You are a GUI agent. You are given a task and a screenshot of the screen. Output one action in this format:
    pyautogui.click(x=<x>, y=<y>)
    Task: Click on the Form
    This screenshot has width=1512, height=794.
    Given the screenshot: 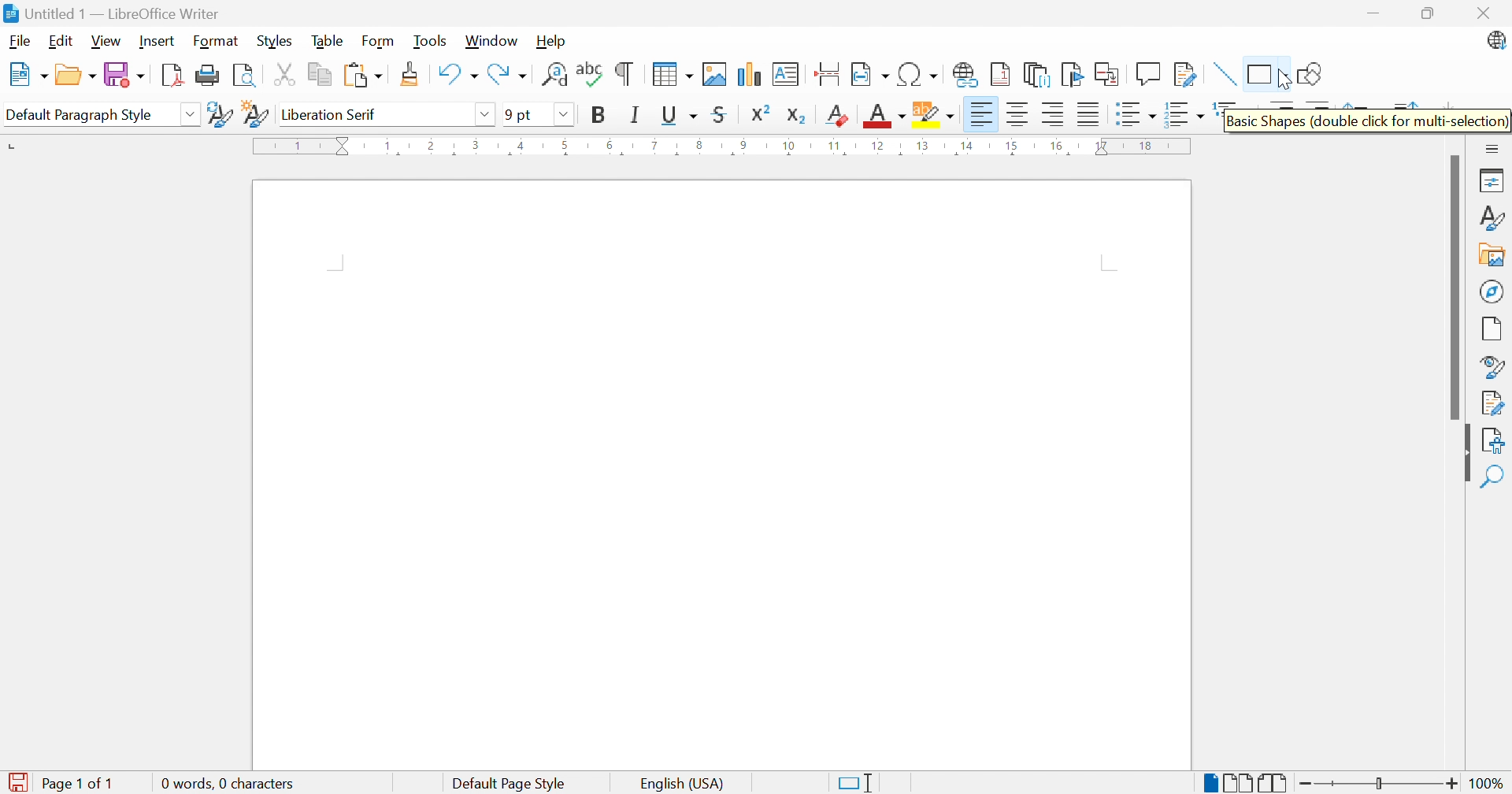 What is the action you would take?
    pyautogui.click(x=379, y=42)
    